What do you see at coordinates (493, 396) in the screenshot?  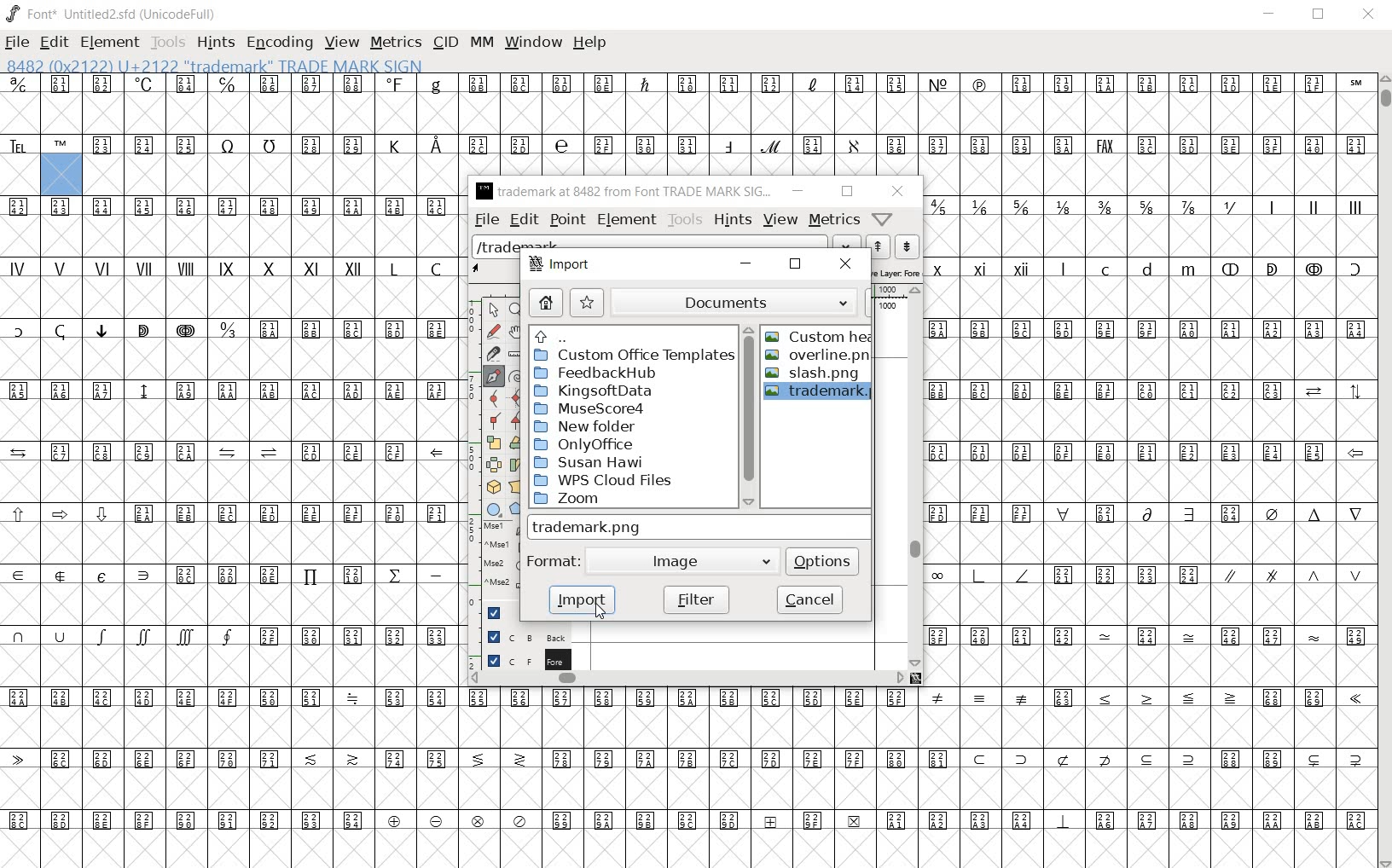 I see `add a curve point` at bounding box center [493, 396].